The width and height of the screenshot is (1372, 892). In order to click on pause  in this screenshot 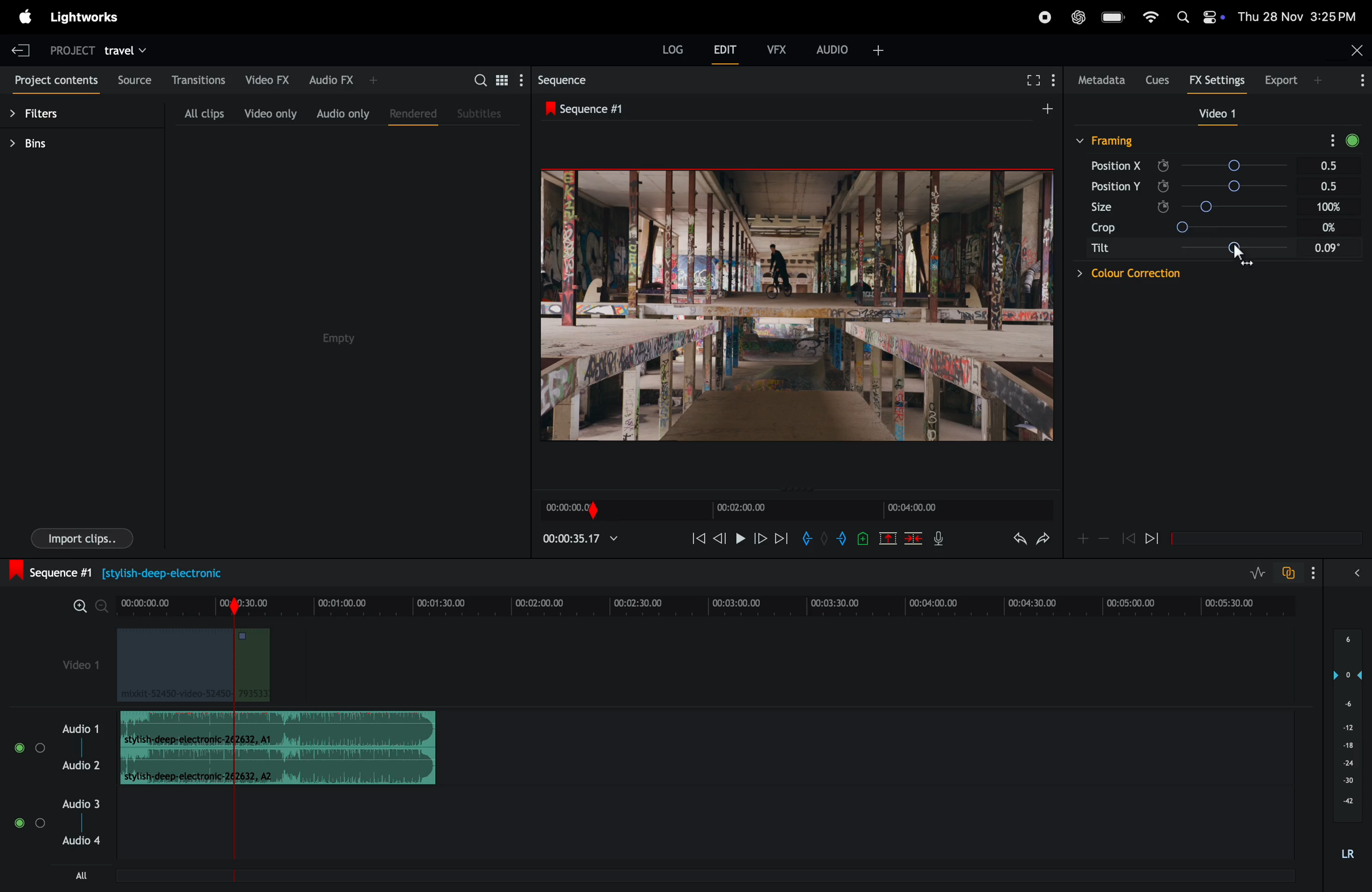, I will do `click(740, 540)`.